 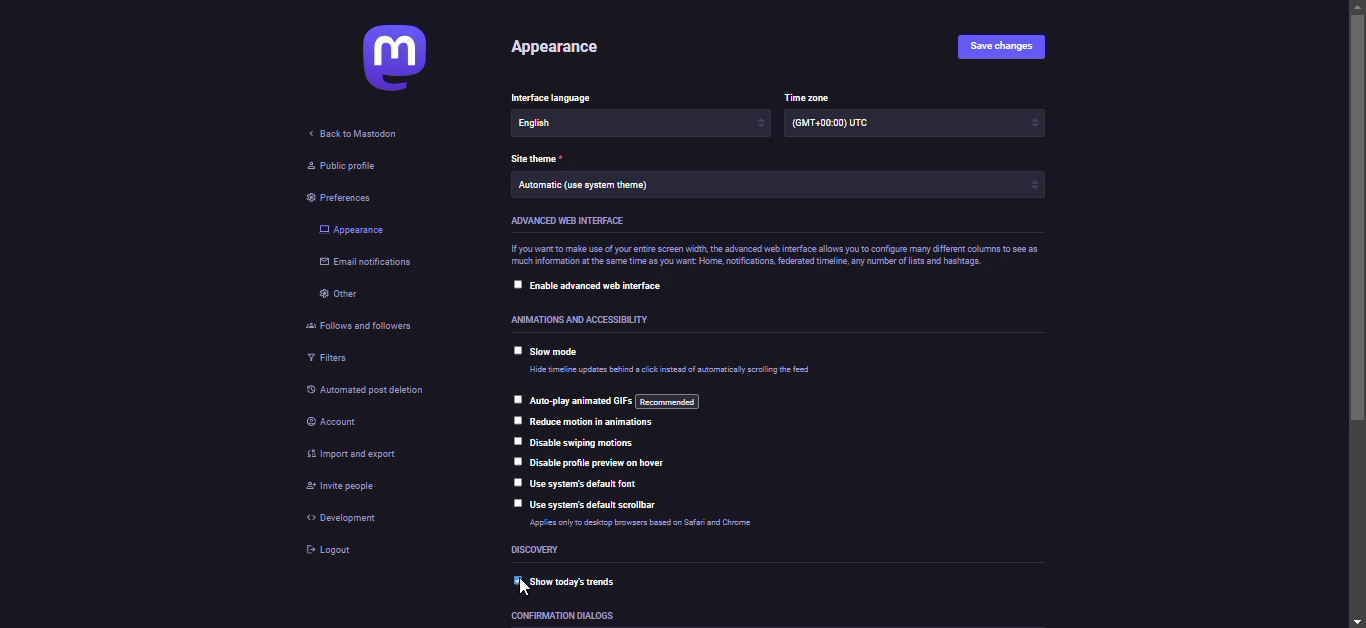 I want to click on click to select, so click(x=518, y=419).